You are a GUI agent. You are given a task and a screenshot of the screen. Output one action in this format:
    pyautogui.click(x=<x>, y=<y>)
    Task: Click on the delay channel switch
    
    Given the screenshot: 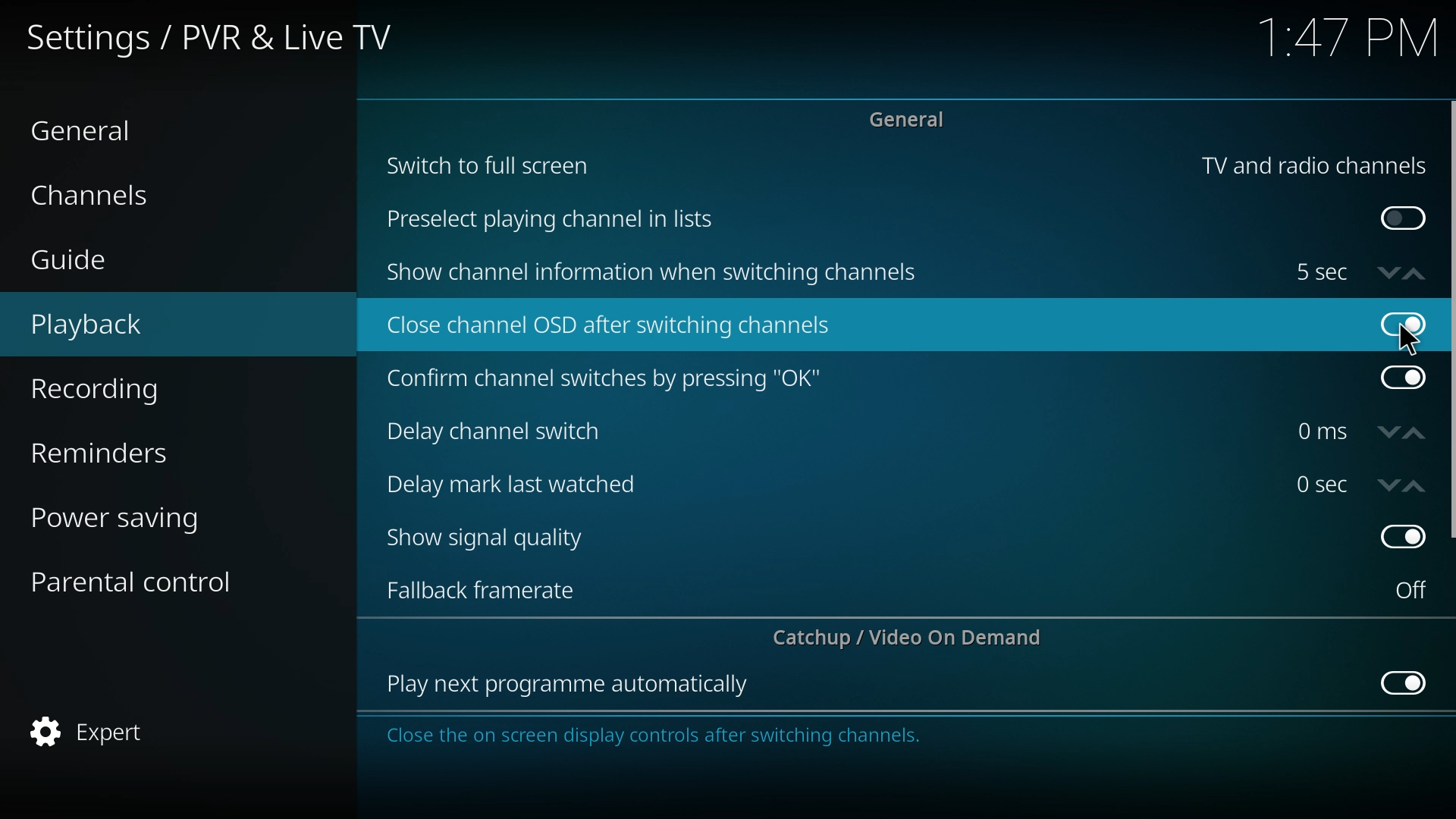 What is the action you would take?
    pyautogui.click(x=507, y=431)
    